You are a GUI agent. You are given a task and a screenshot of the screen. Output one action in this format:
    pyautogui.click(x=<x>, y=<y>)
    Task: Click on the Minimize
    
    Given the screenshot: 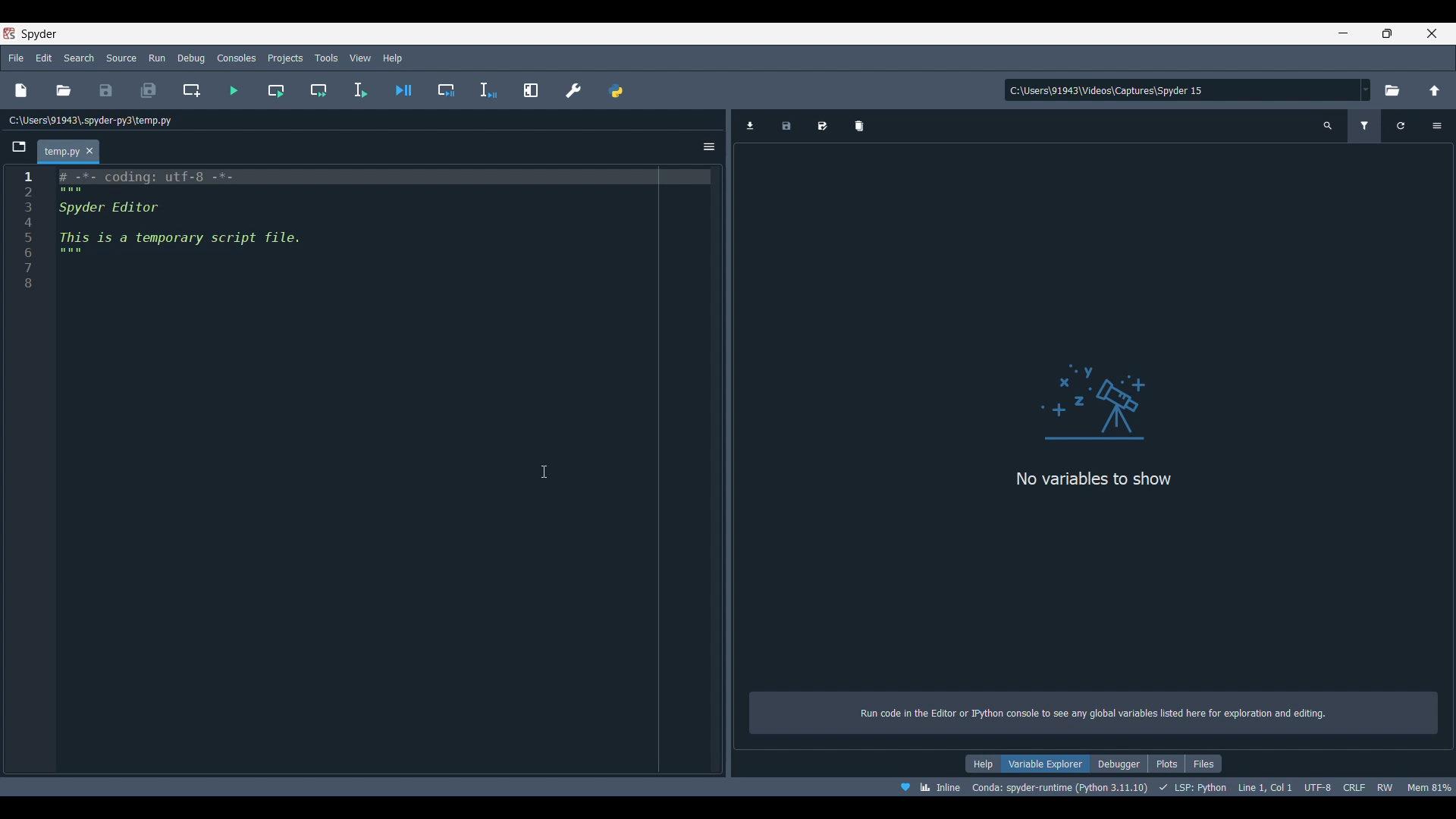 What is the action you would take?
    pyautogui.click(x=1344, y=33)
    